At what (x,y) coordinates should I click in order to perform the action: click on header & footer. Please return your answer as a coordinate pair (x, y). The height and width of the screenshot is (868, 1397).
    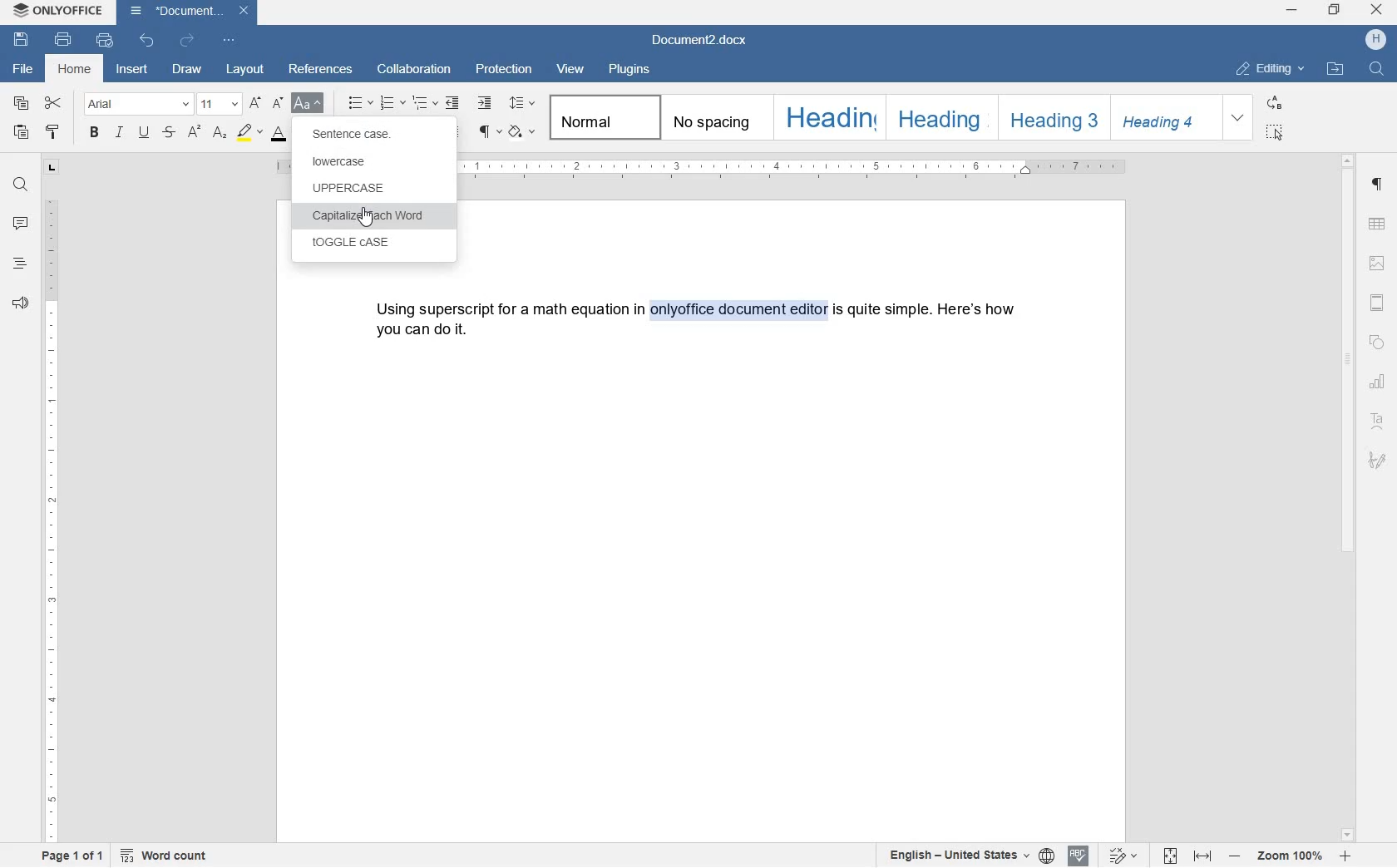
    Looking at the image, I should click on (1380, 303).